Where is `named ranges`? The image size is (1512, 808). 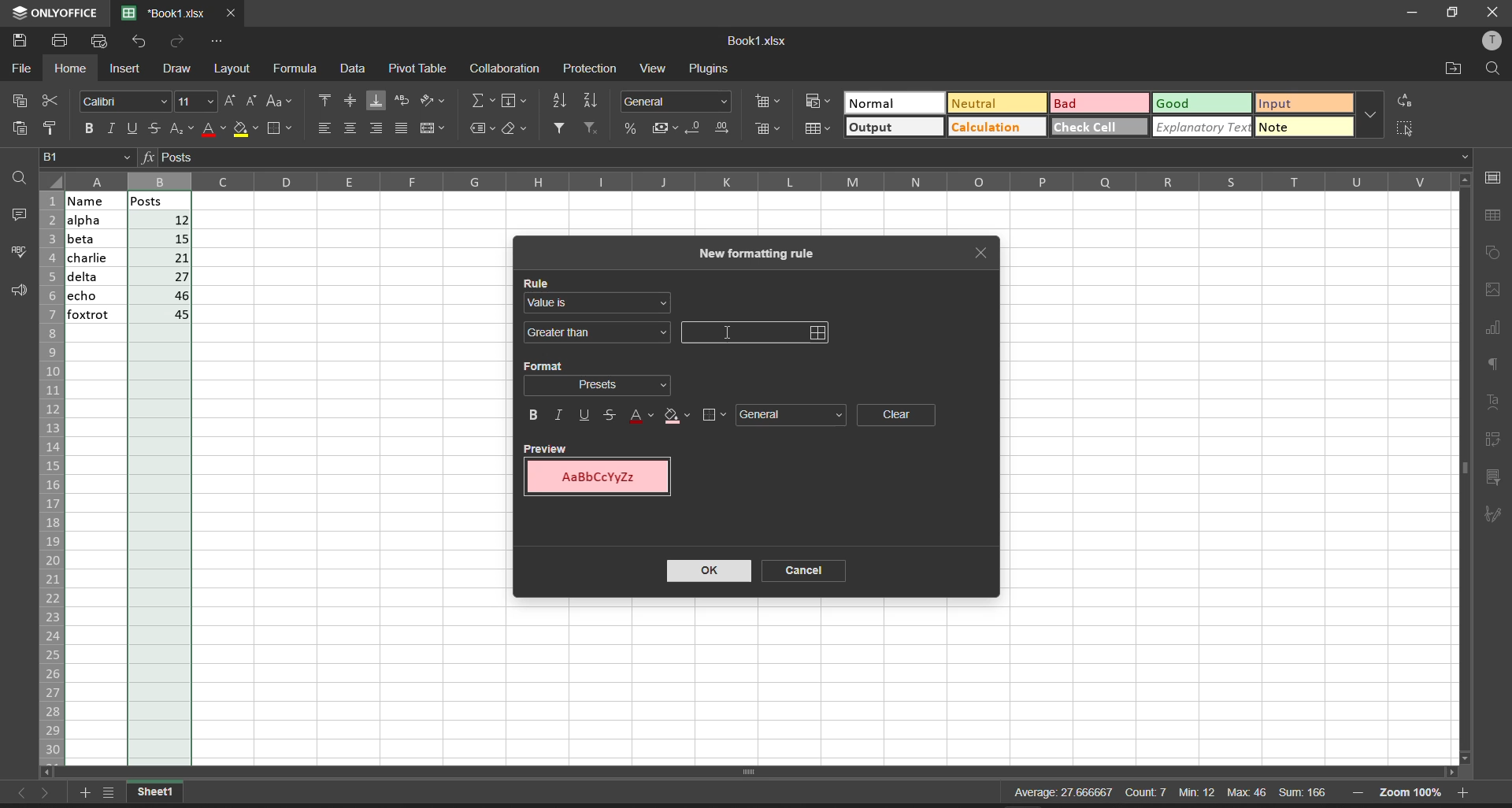
named ranges is located at coordinates (478, 128).